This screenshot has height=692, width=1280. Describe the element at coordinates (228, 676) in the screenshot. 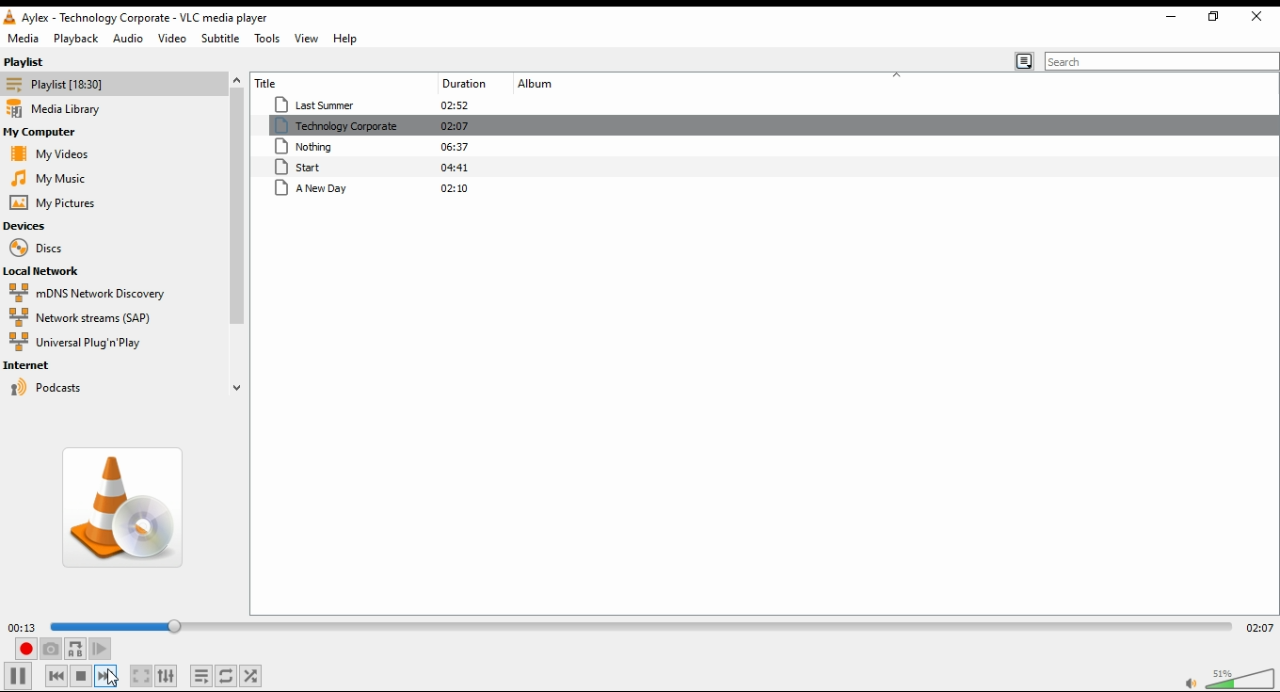

I see `select between loop all, loop one, and no loop` at that location.